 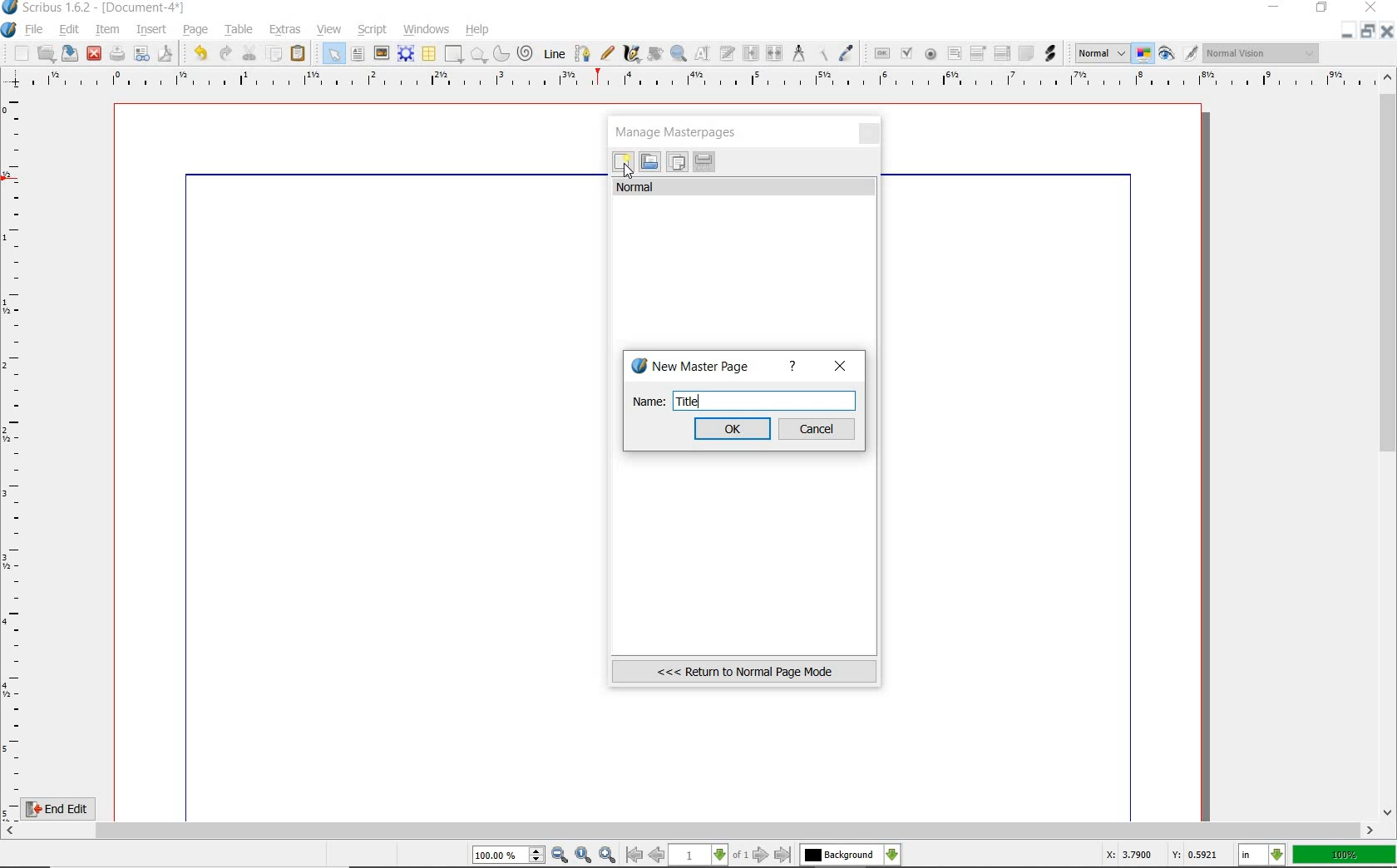 I want to click on go to previous page, so click(x=659, y=856).